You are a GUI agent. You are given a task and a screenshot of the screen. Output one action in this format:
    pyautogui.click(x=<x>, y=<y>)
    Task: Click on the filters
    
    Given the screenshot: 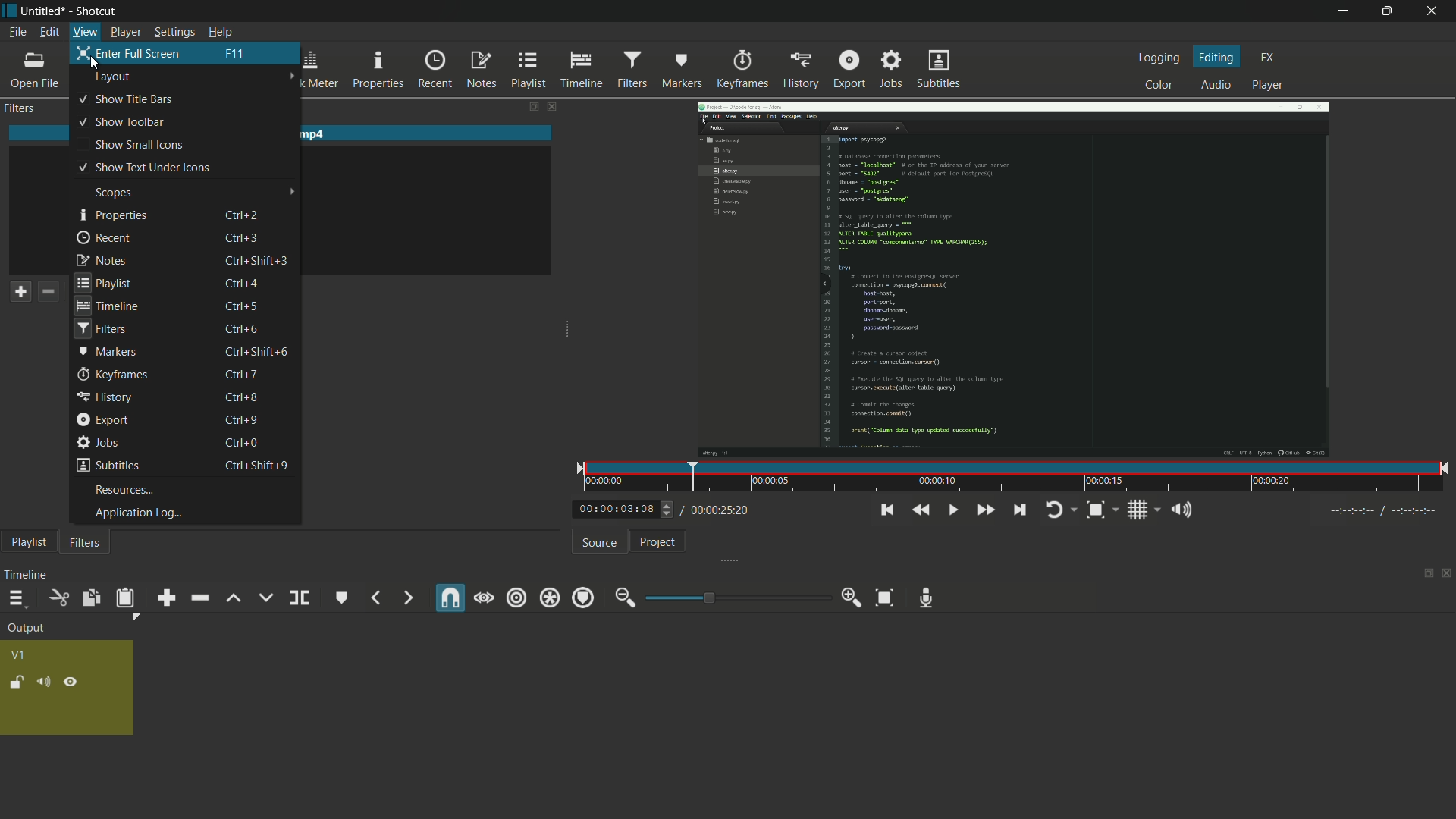 What is the action you would take?
    pyautogui.click(x=20, y=109)
    